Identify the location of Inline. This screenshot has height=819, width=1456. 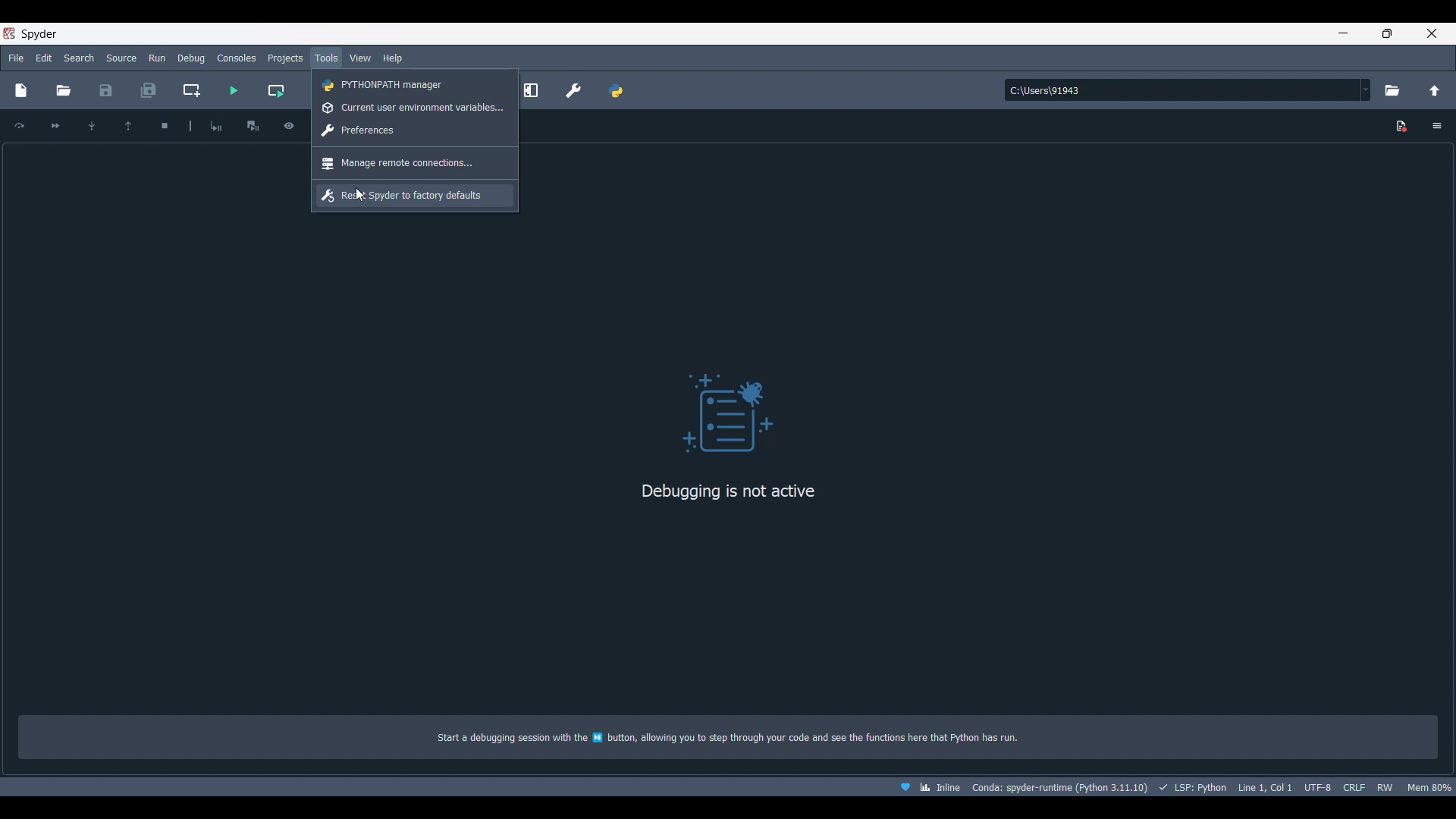
(924, 787).